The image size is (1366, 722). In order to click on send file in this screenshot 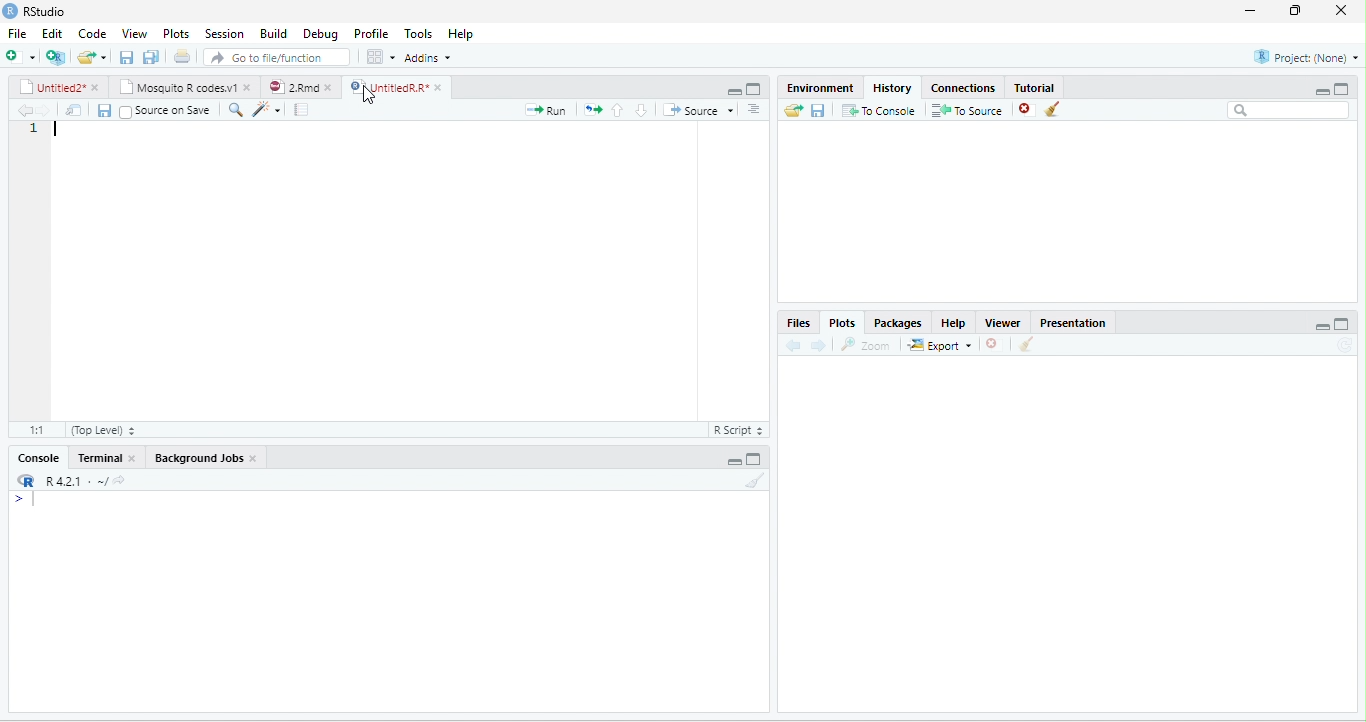, I will do `click(786, 110)`.